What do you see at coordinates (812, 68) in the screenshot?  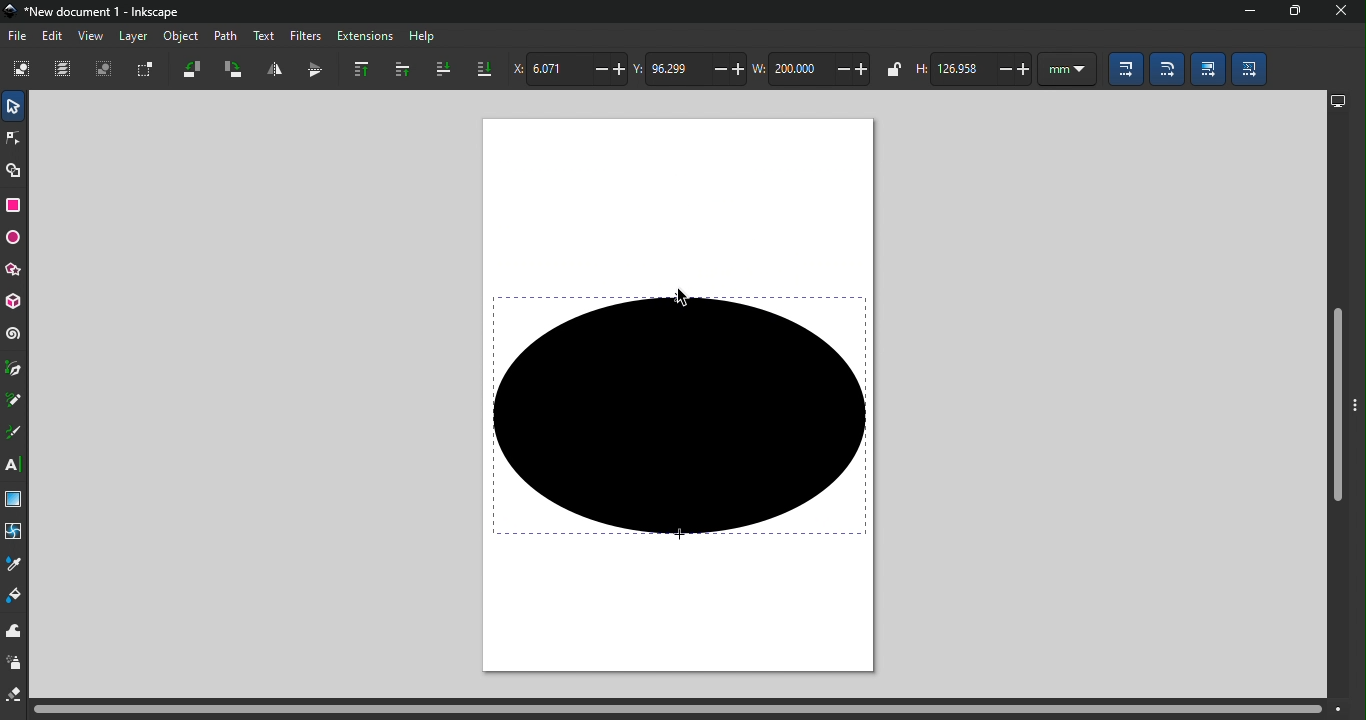 I see `width of selection` at bounding box center [812, 68].